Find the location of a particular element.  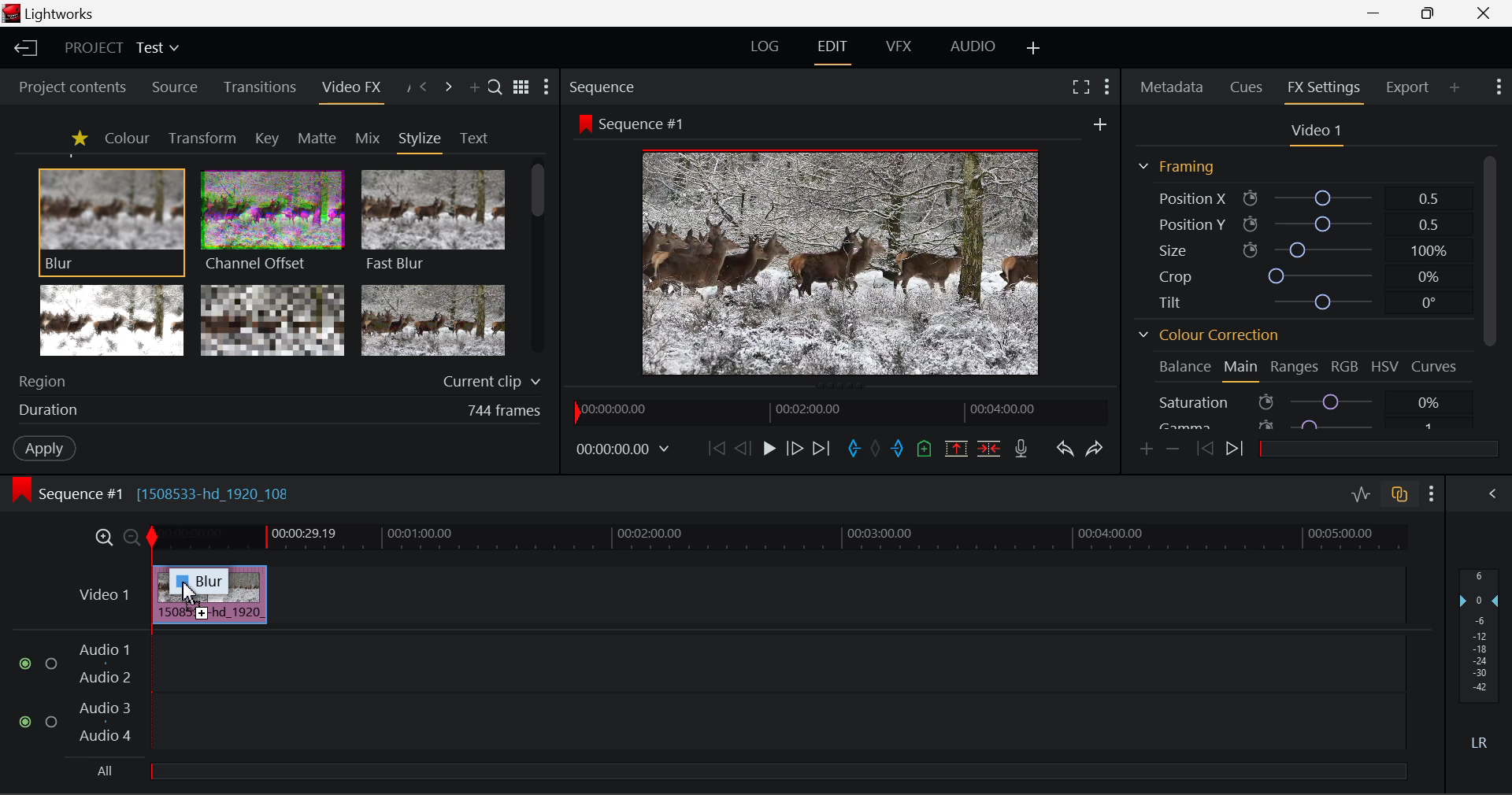

RGB is located at coordinates (1345, 367).